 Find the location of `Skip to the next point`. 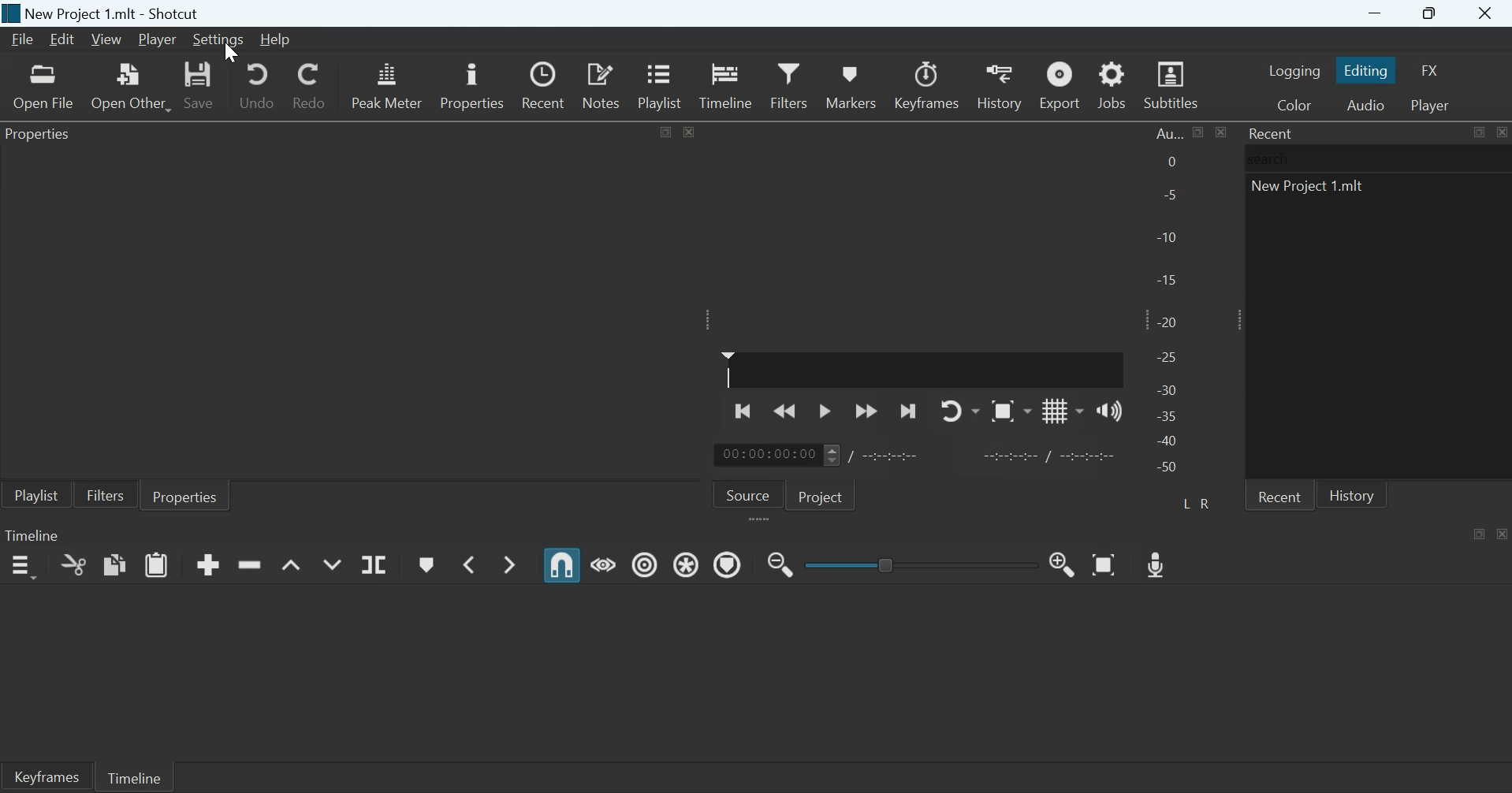

Skip to the next point is located at coordinates (907, 412).